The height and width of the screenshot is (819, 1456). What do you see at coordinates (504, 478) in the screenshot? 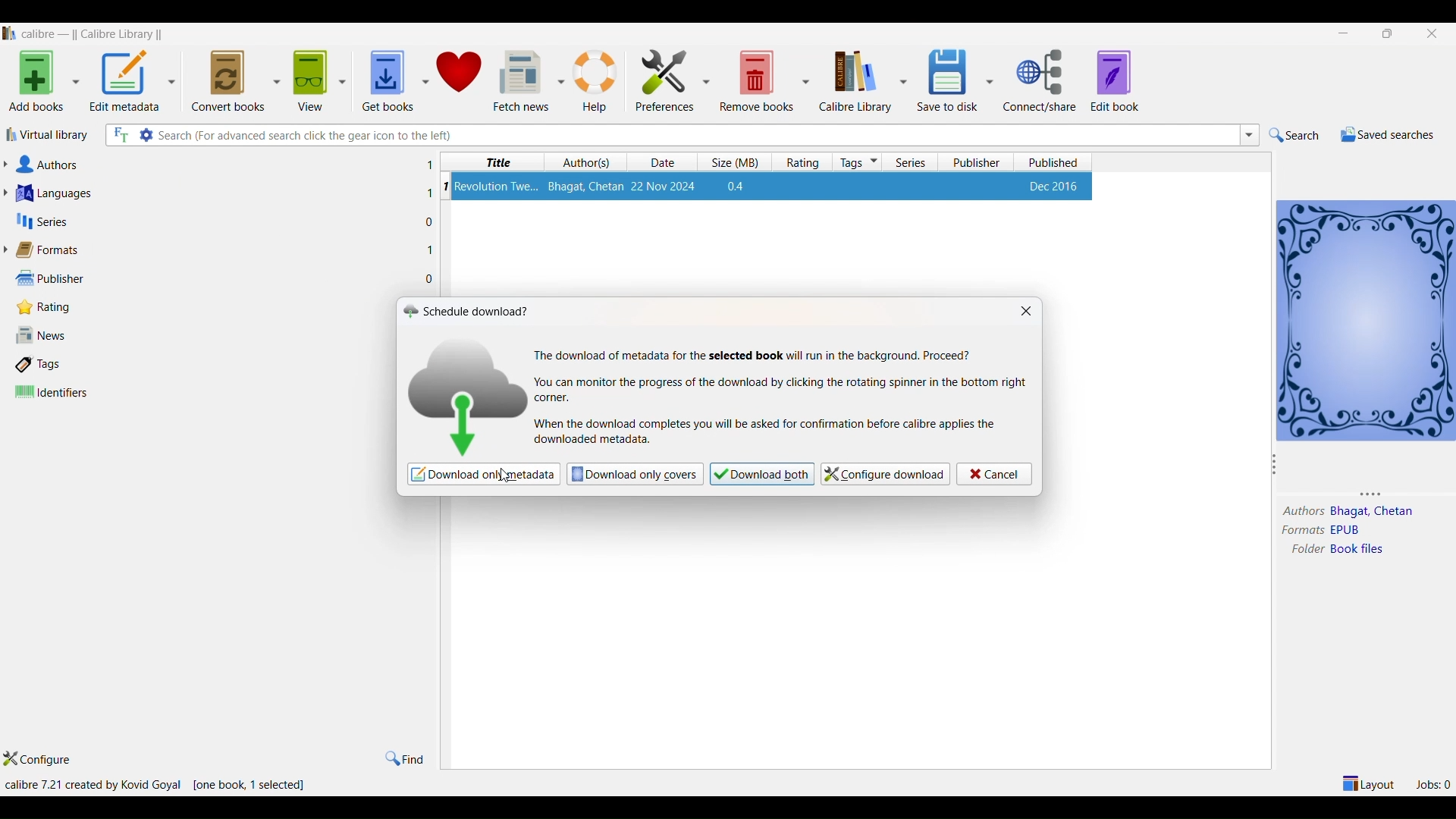
I see `cursor` at bounding box center [504, 478].